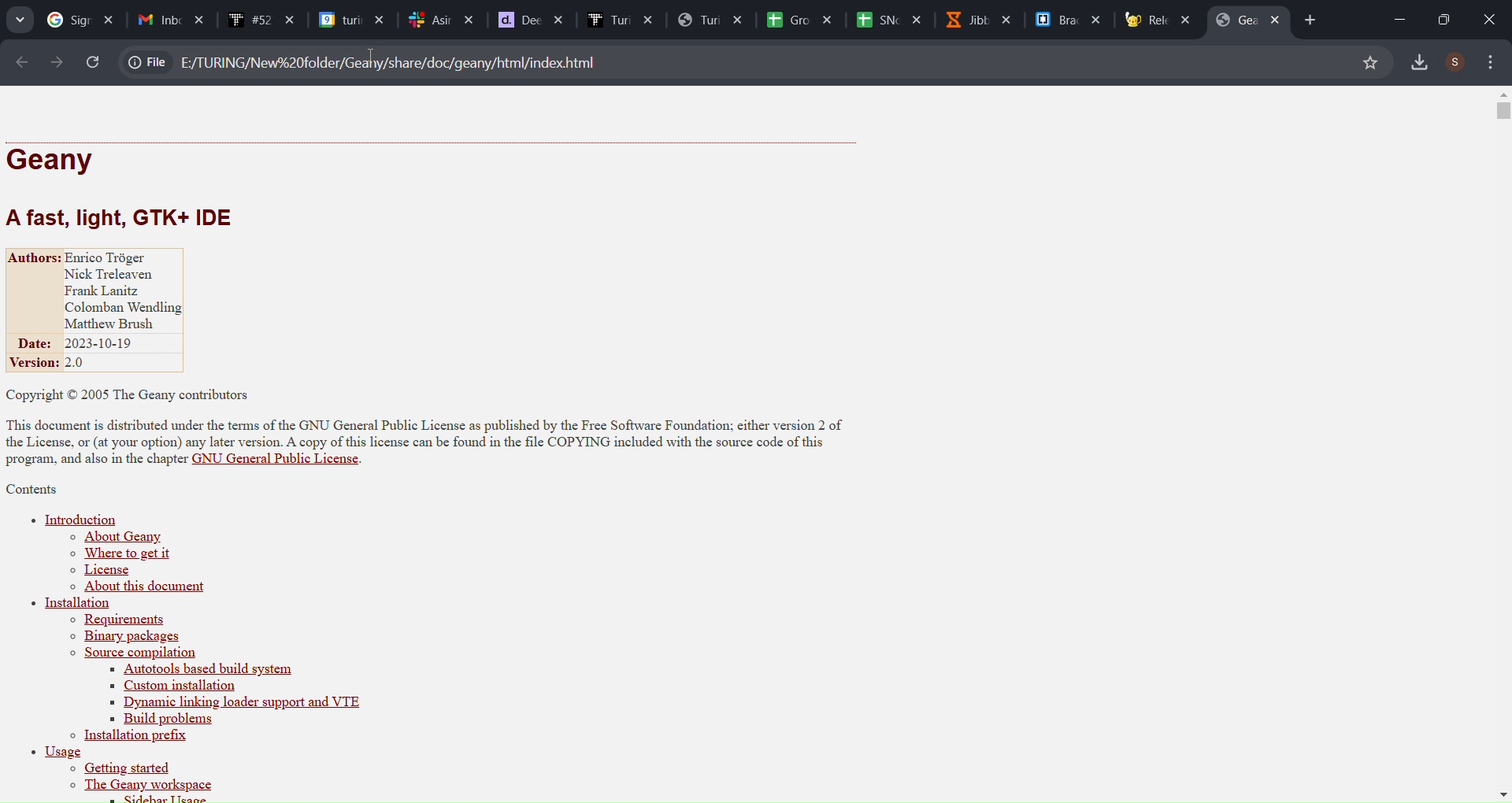 The image size is (1512, 803). What do you see at coordinates (619, 20) in the screenshot?
I see `` at bounding box center [619, 20].